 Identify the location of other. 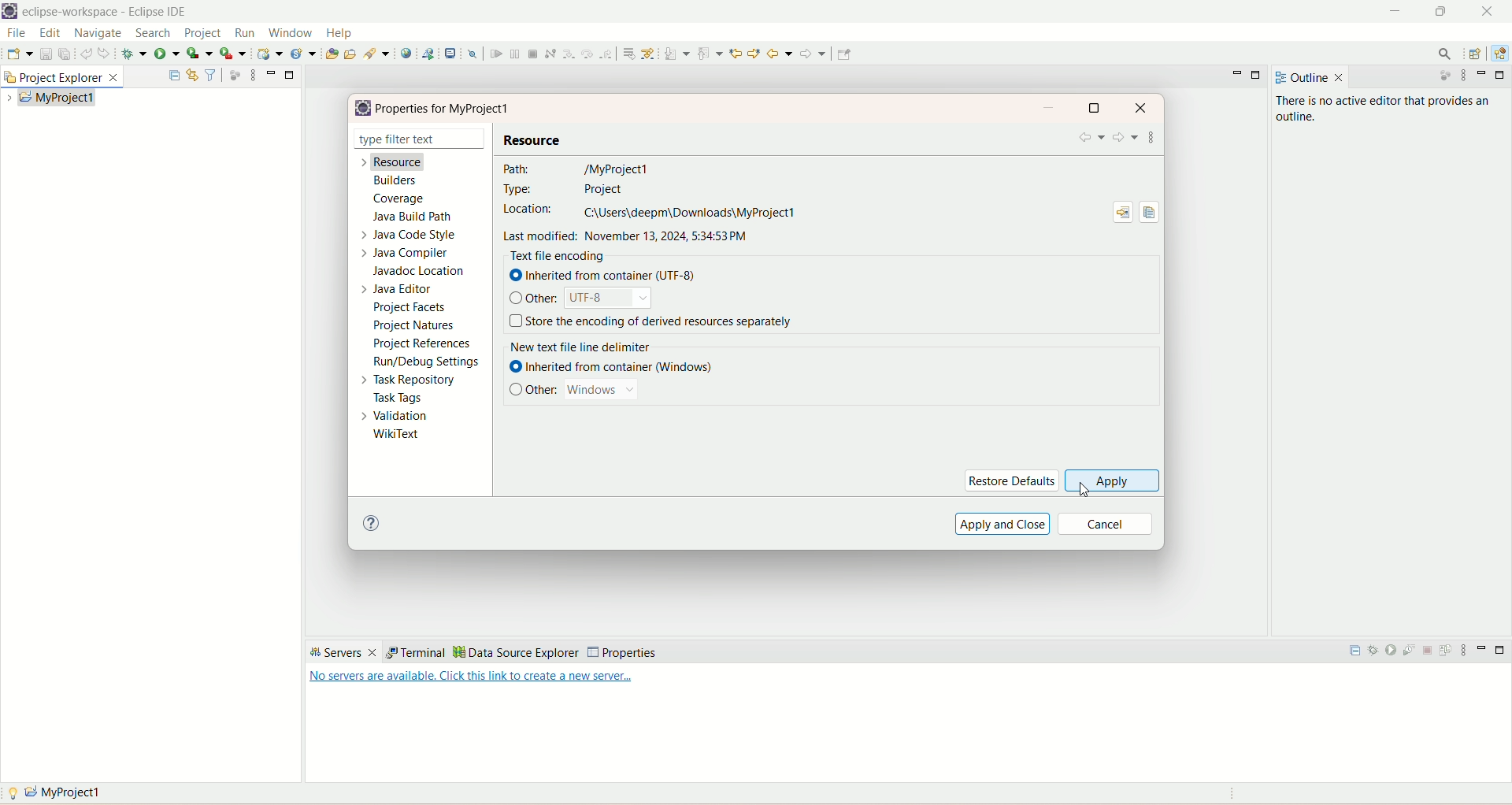
(544, 389).